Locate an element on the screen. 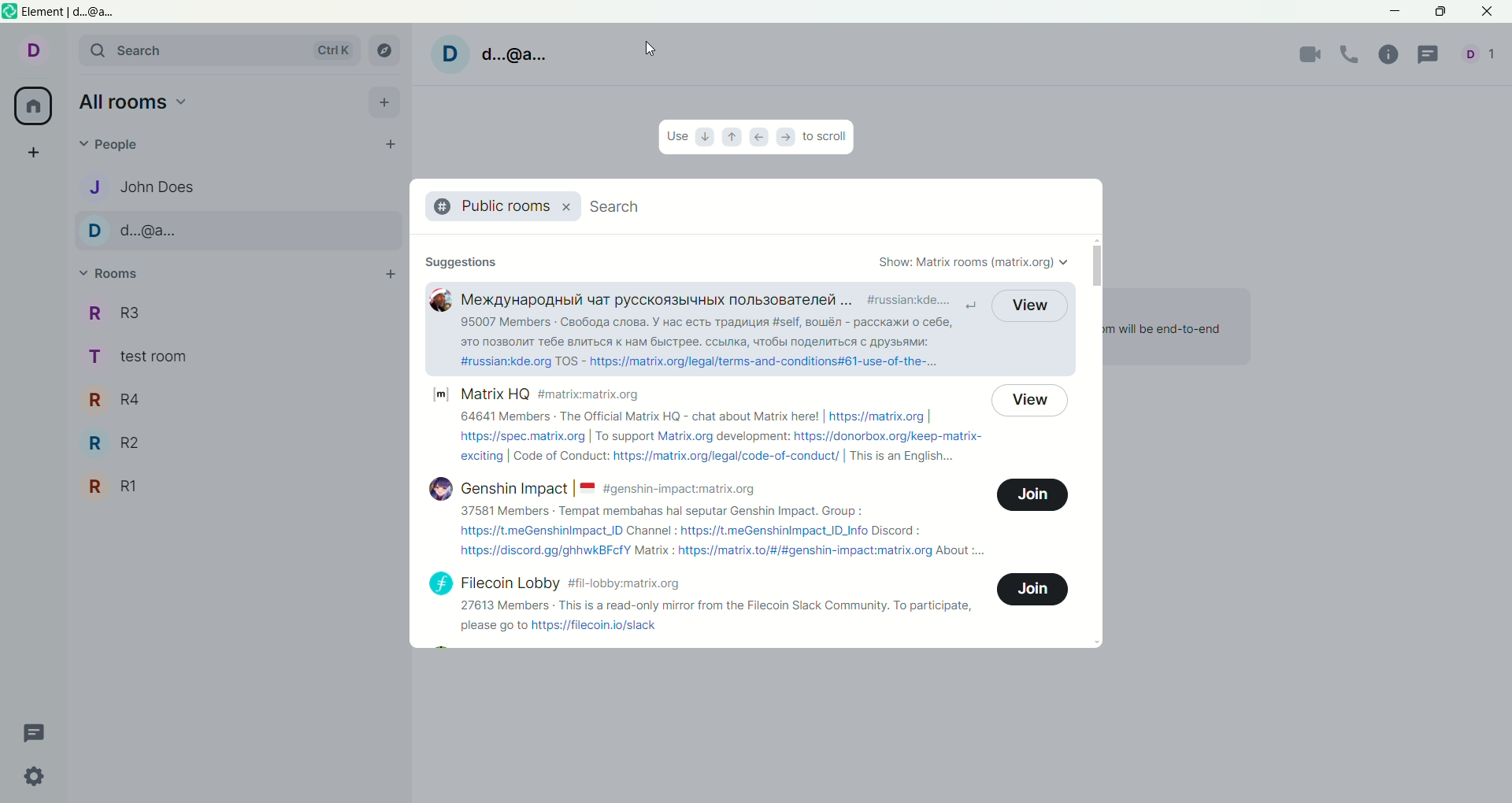 The height and width of the screenshot is (803, 1512). Genshin Impact room picture is located at coordinates (441, 489).